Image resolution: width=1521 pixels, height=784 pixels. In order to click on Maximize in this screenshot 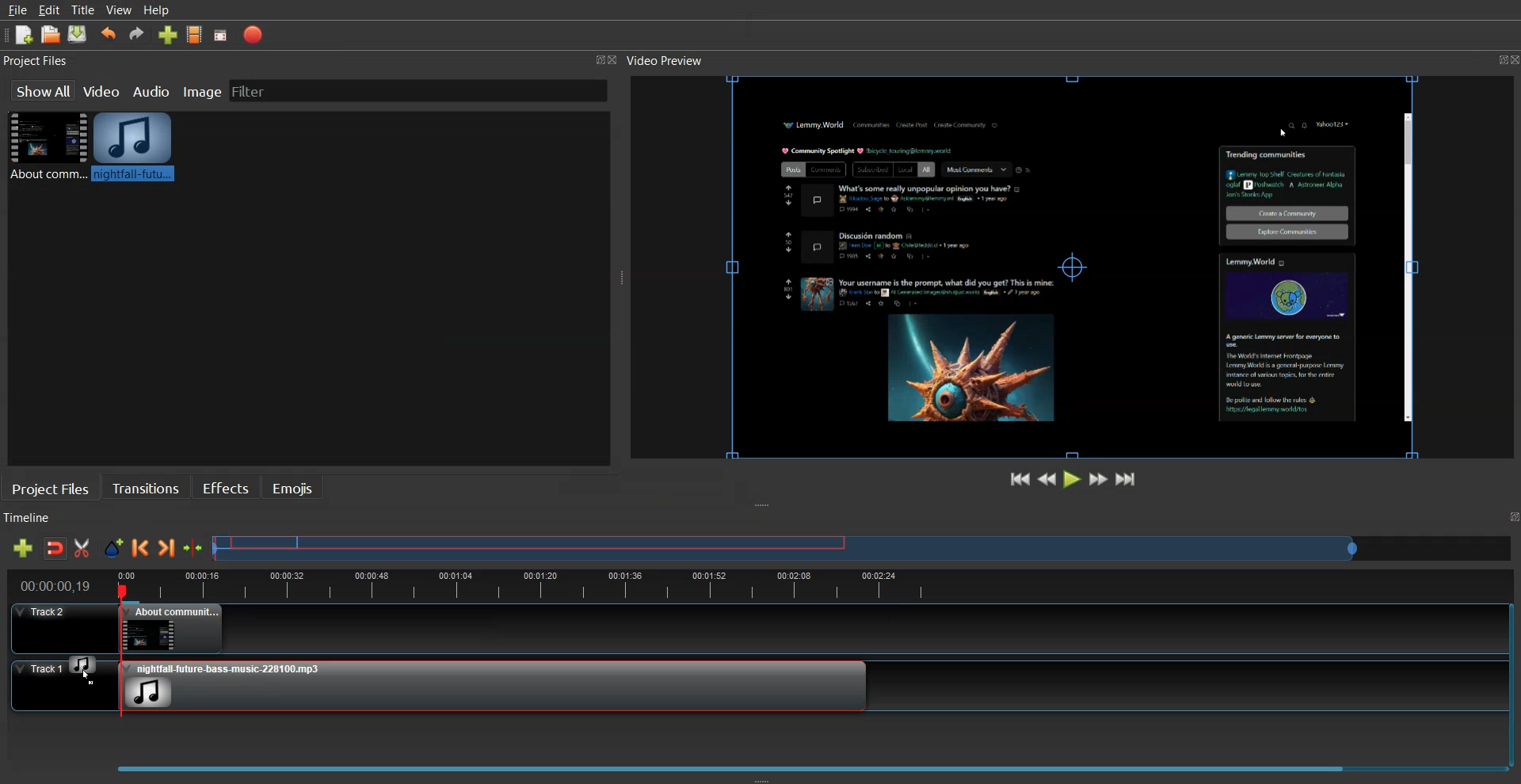, I will do `click(1511, 517)`.